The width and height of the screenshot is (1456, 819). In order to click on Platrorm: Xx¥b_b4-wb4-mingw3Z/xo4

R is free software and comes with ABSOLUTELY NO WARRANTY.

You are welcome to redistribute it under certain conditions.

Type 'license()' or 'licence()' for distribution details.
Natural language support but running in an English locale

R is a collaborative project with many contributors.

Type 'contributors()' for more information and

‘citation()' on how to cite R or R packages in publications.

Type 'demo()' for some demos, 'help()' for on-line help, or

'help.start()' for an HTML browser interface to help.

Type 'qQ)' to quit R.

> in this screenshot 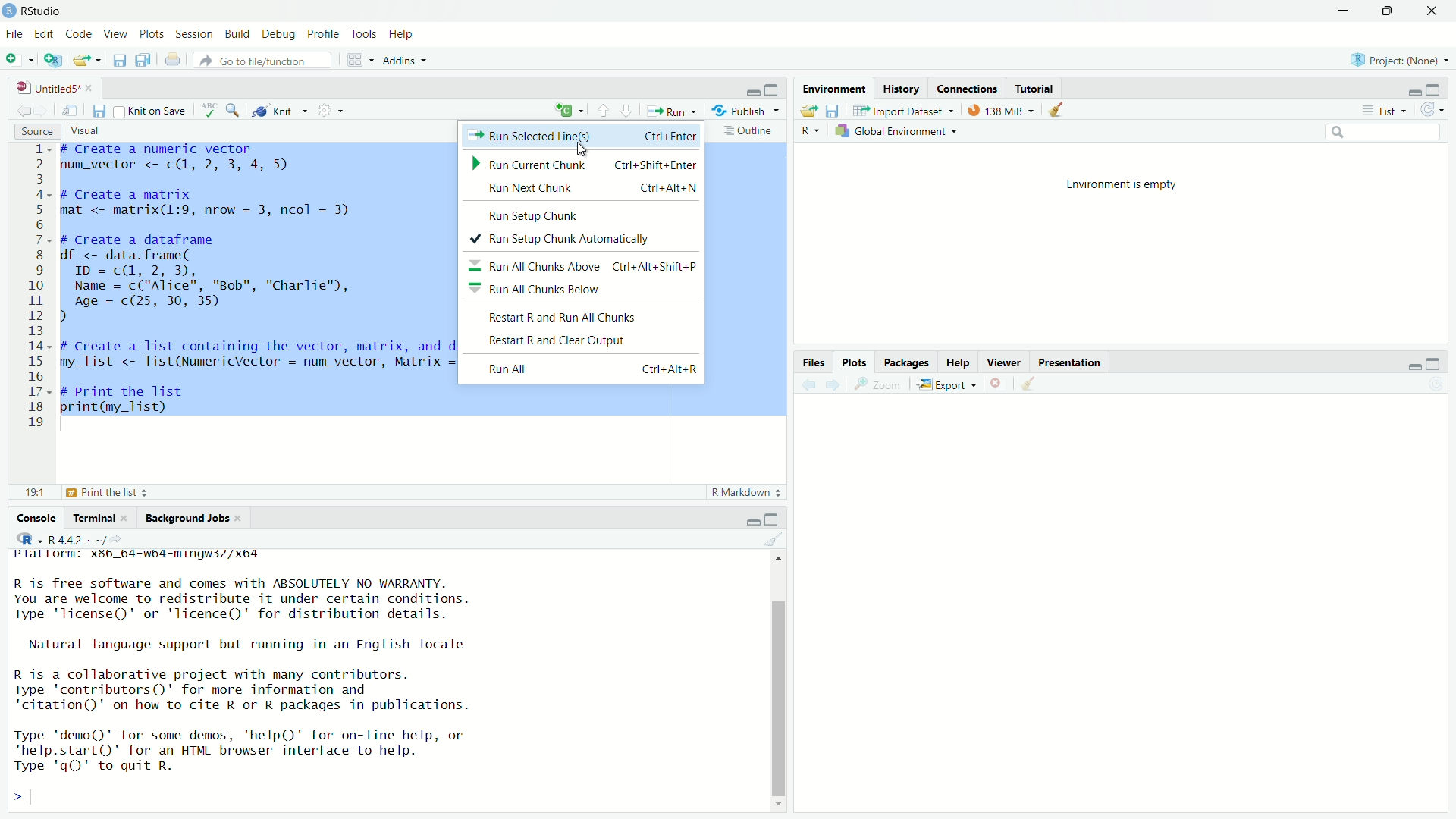, I will do `click(285, 679)`.